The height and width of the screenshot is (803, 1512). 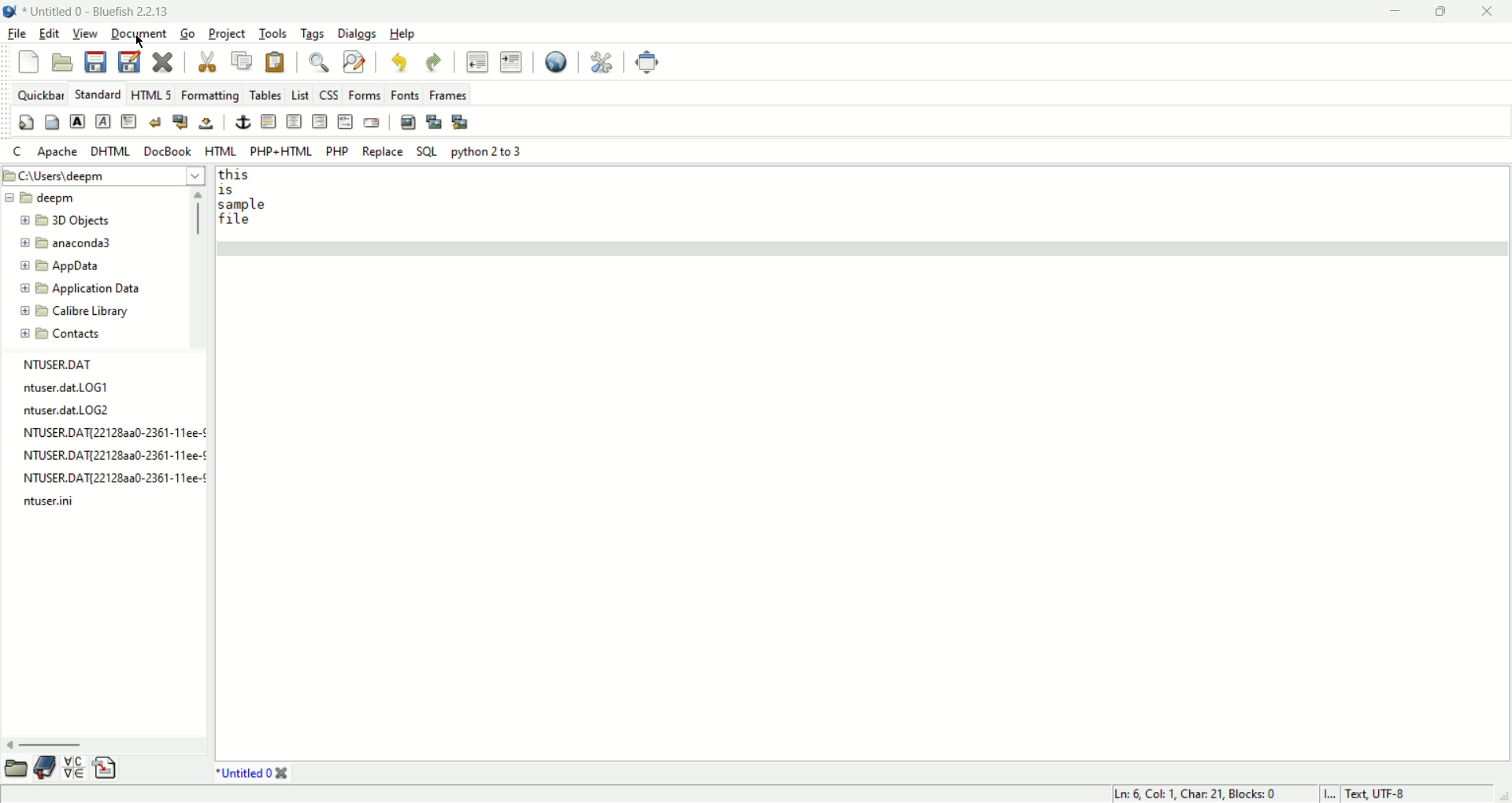 I want to click on document, so click(x=137, y=34).